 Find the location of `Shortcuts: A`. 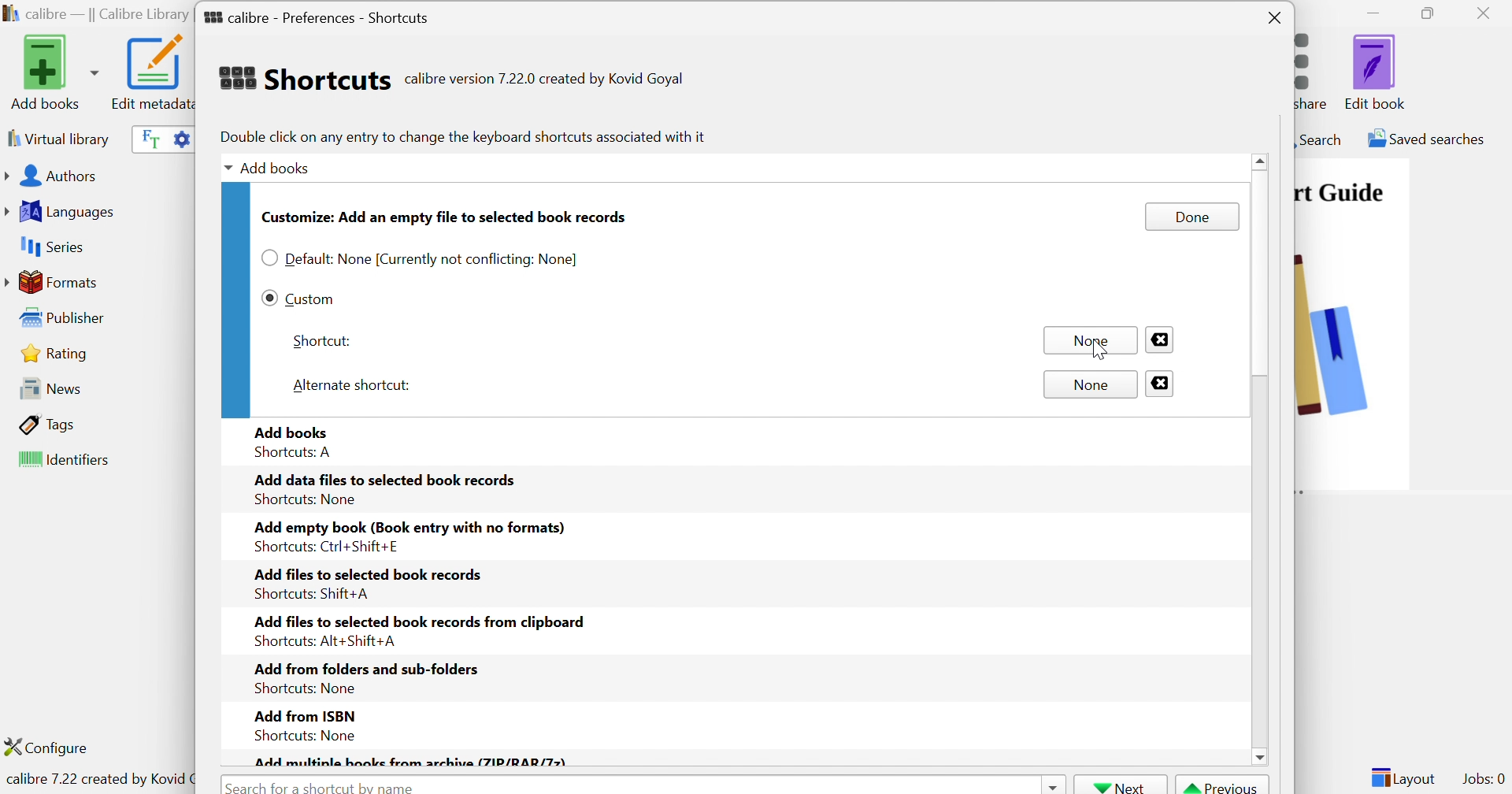

Shortcuts: A is located at coordinates (295, 453).